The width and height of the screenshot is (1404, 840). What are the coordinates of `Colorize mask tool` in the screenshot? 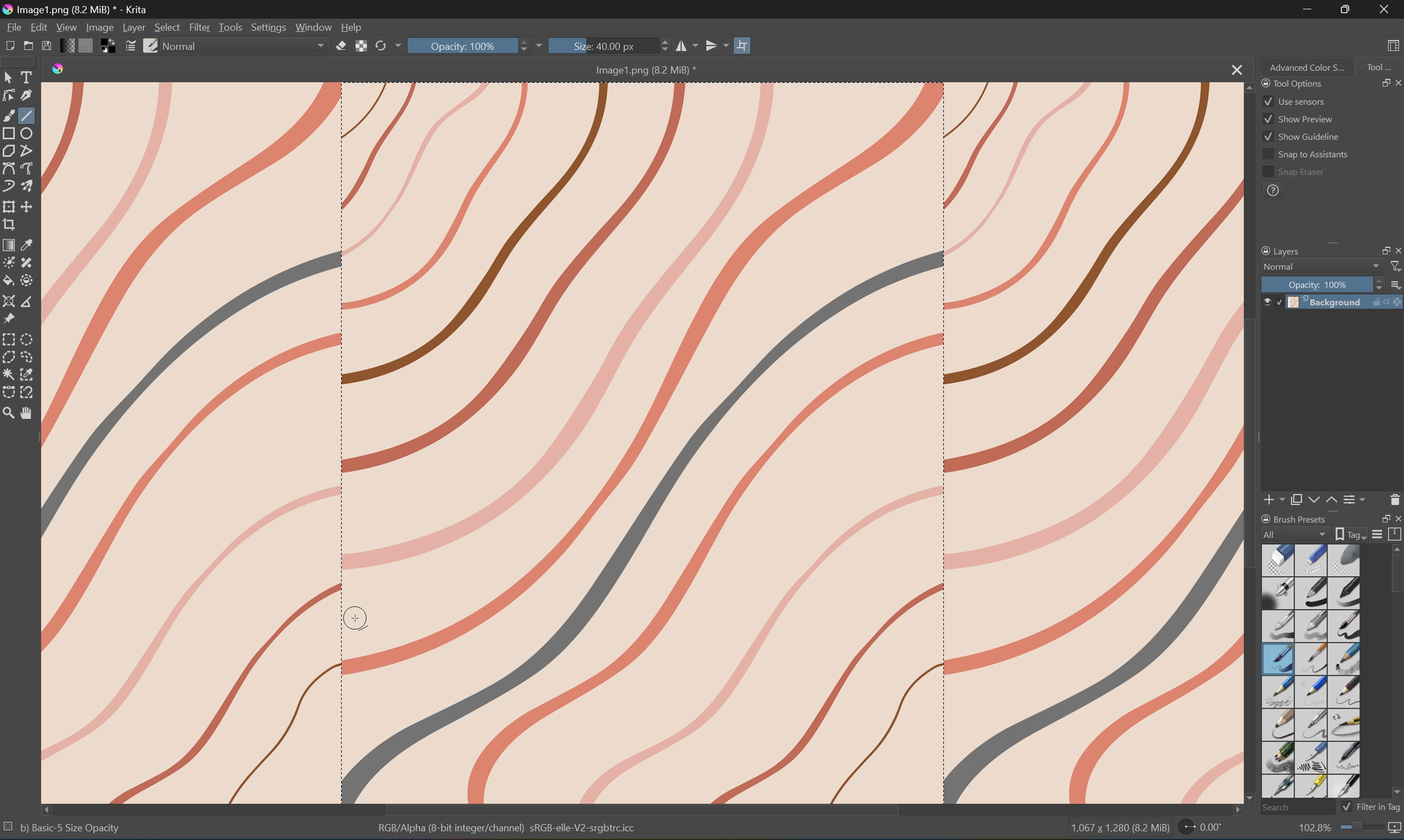 It's located at (9, 262).